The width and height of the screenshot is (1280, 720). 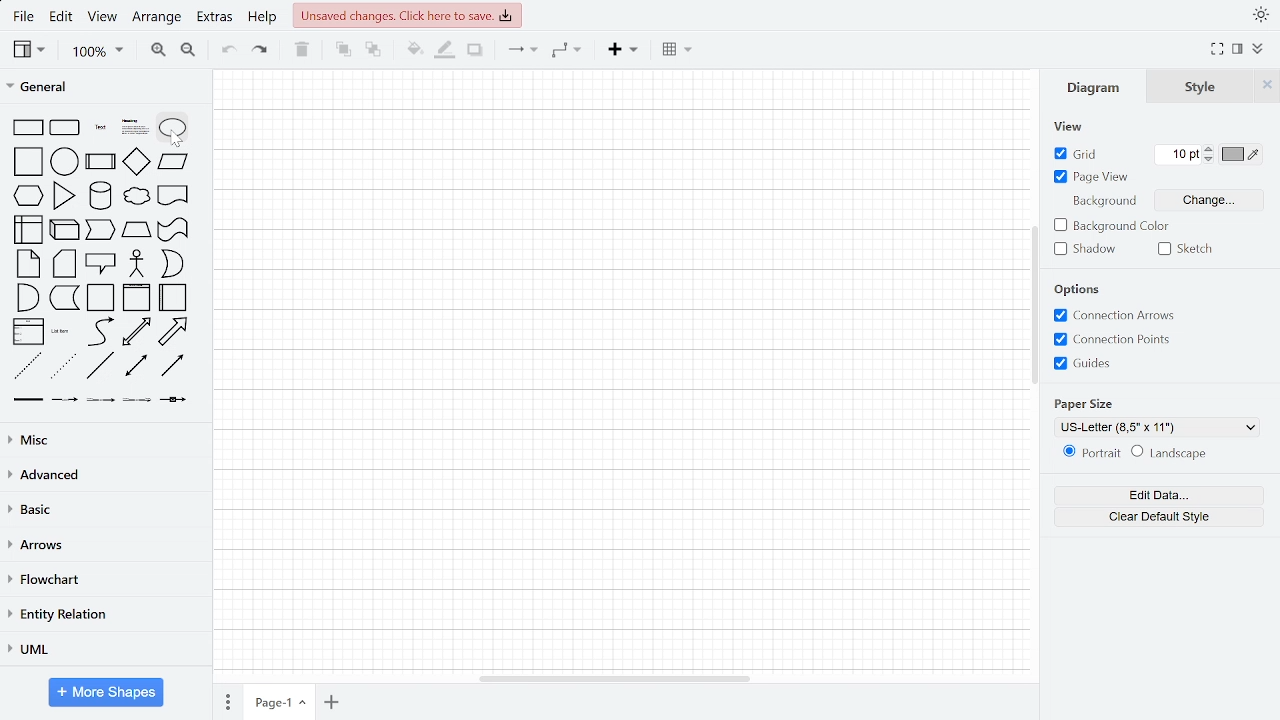 I want to click on Theme, so click(x=1261, y=16).